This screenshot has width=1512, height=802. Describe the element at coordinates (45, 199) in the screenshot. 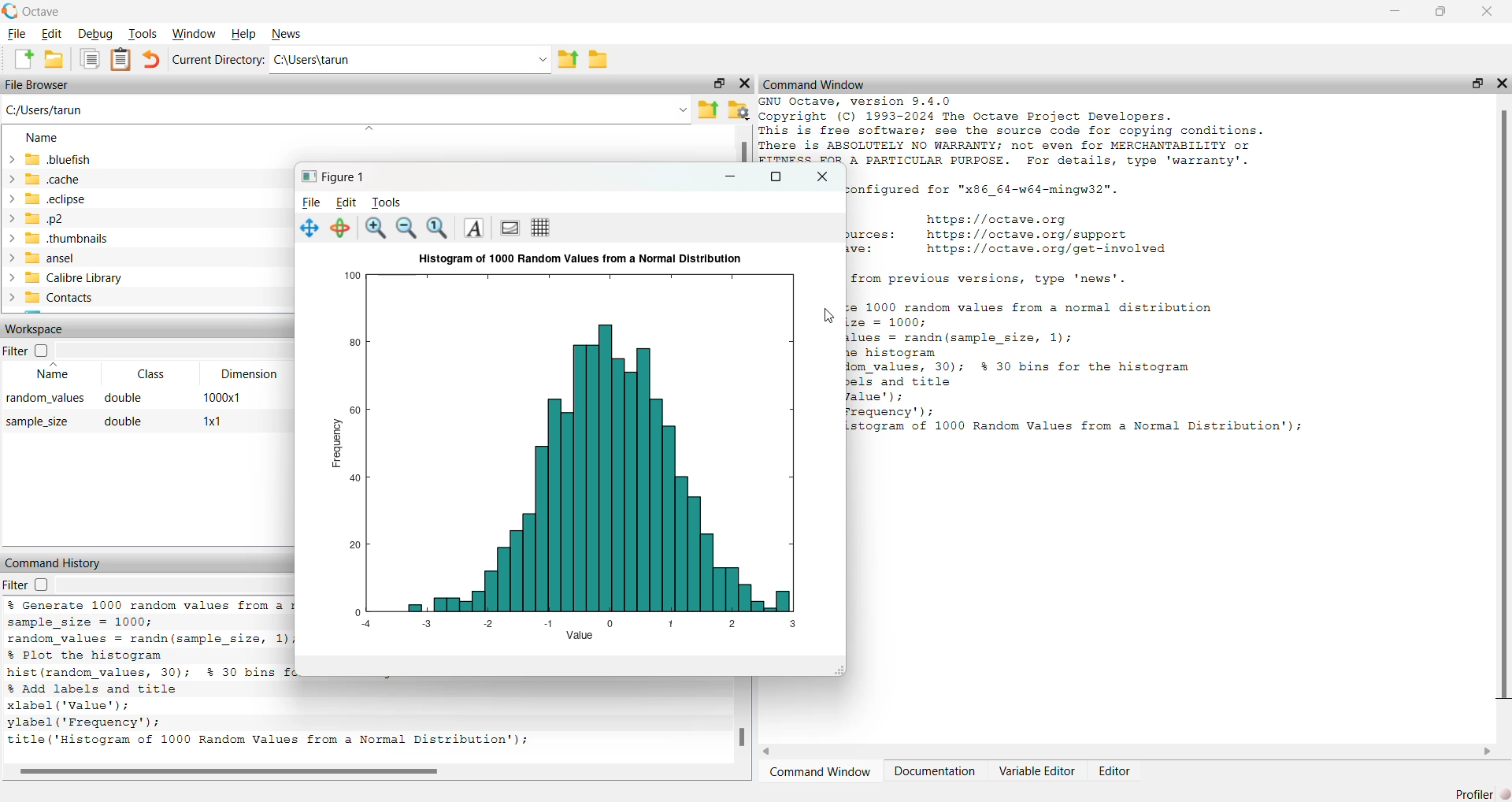

I see `.eclipse` at that location.